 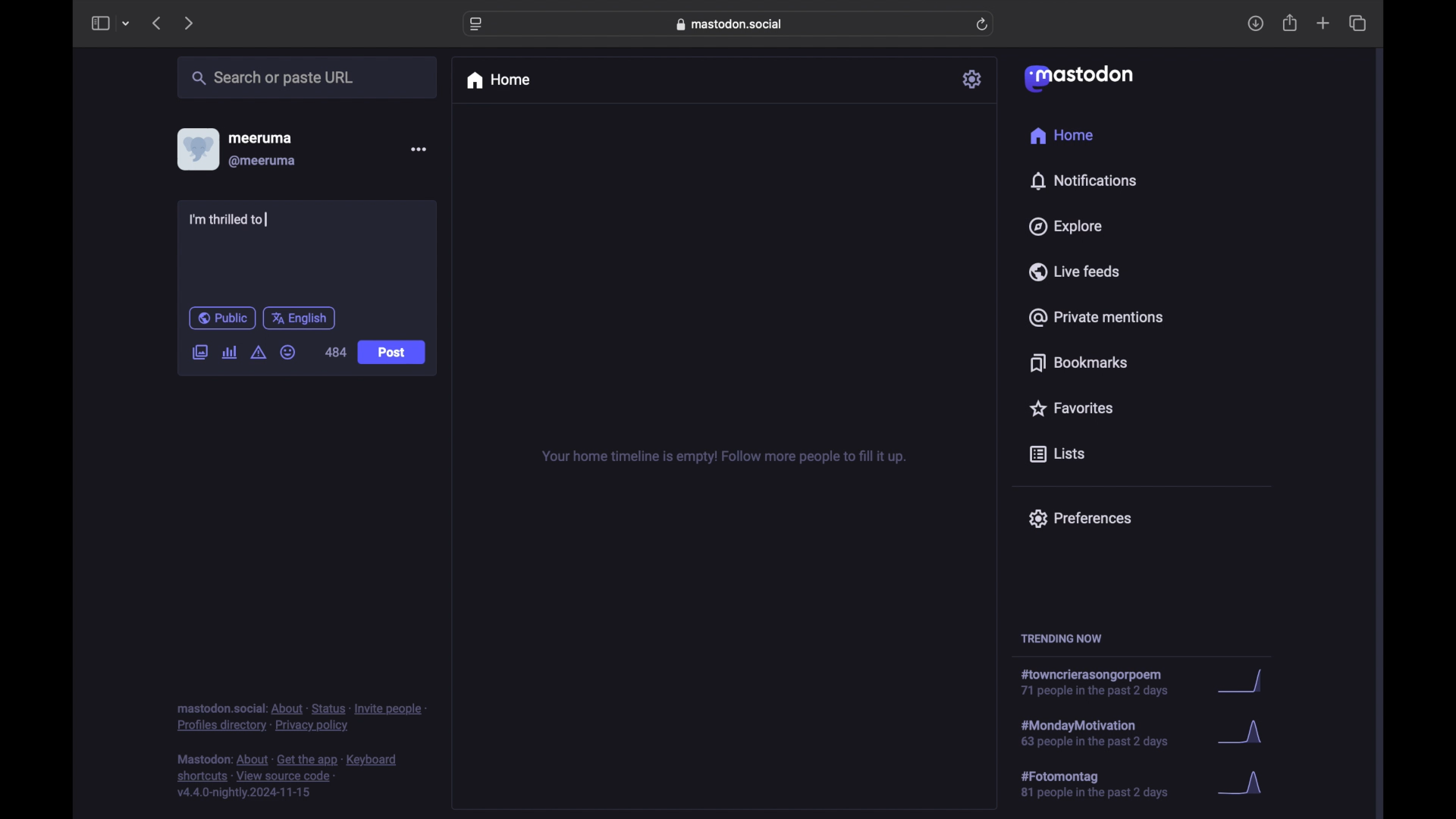 I want to click on bookmarks, so click(x=1081, y=362).